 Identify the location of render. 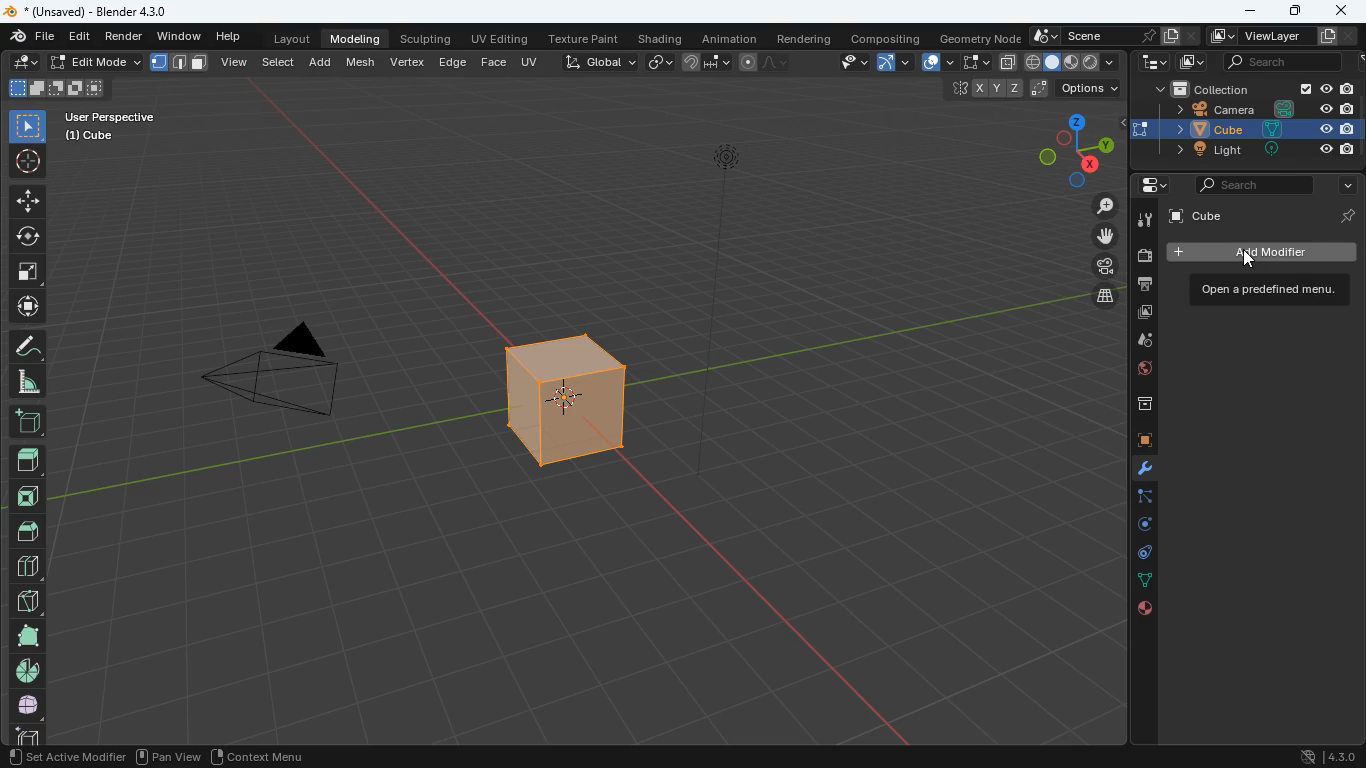
(124, 37).